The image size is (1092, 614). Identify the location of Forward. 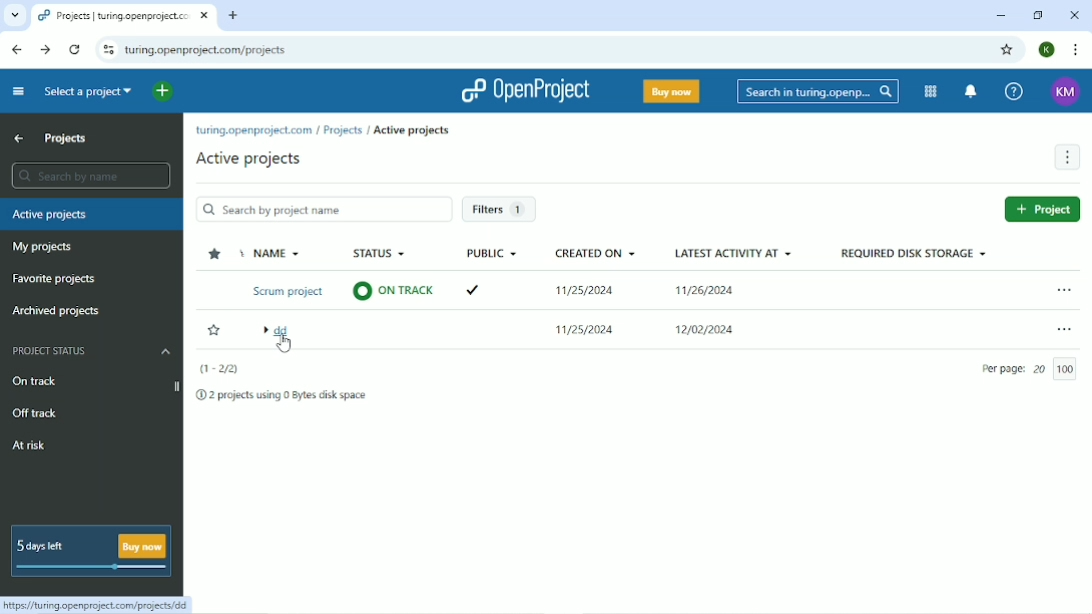
(44, 50).